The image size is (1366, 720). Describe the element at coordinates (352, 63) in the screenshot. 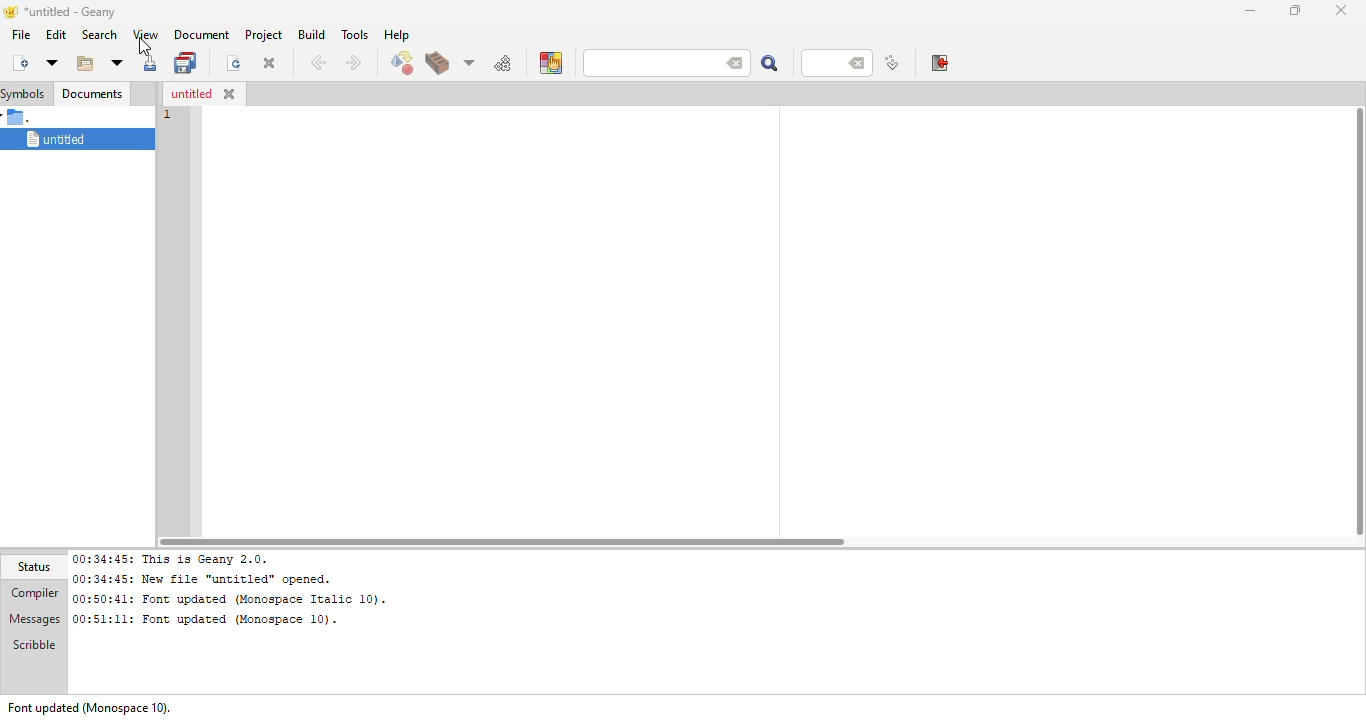

I see `next` at that location.